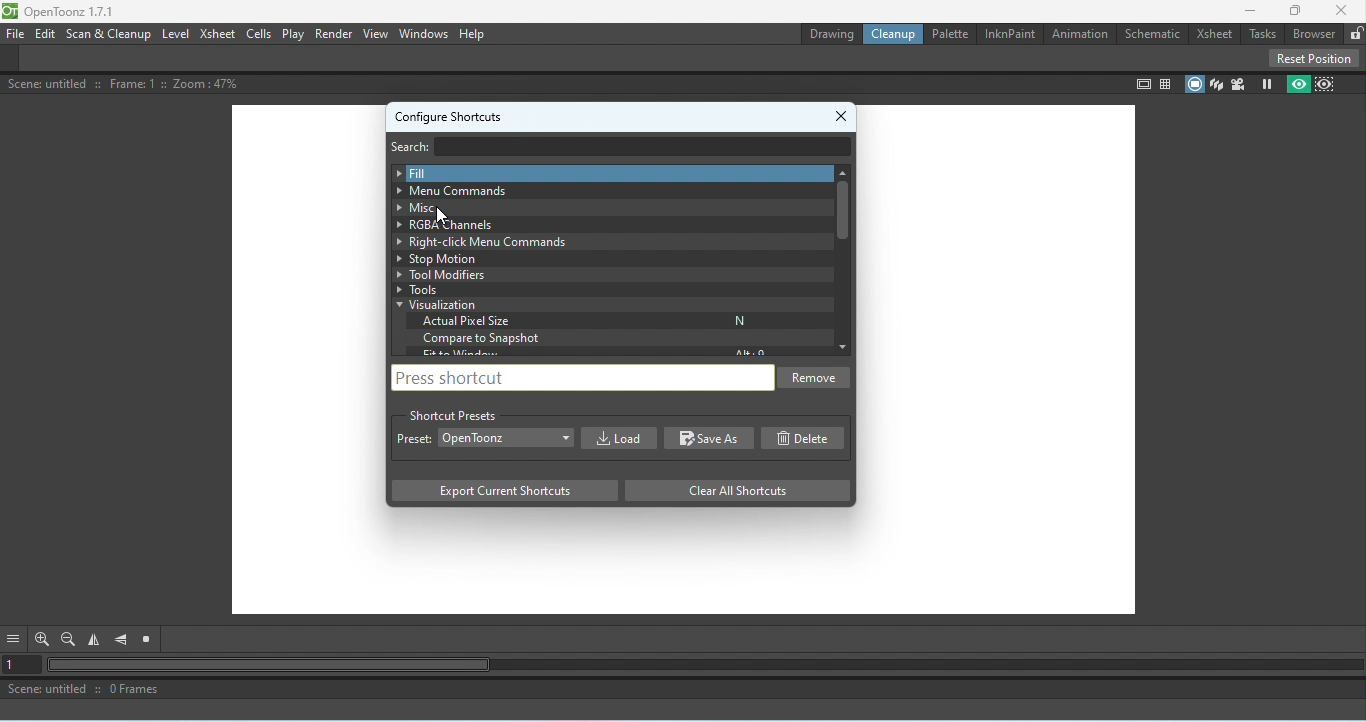 The image size is (1366, 722). Describe the element at coordinates (126, 84) in the screenshot. I see `Scene: untitled :: Frame: 1 :: Zoom :47%` at that location.